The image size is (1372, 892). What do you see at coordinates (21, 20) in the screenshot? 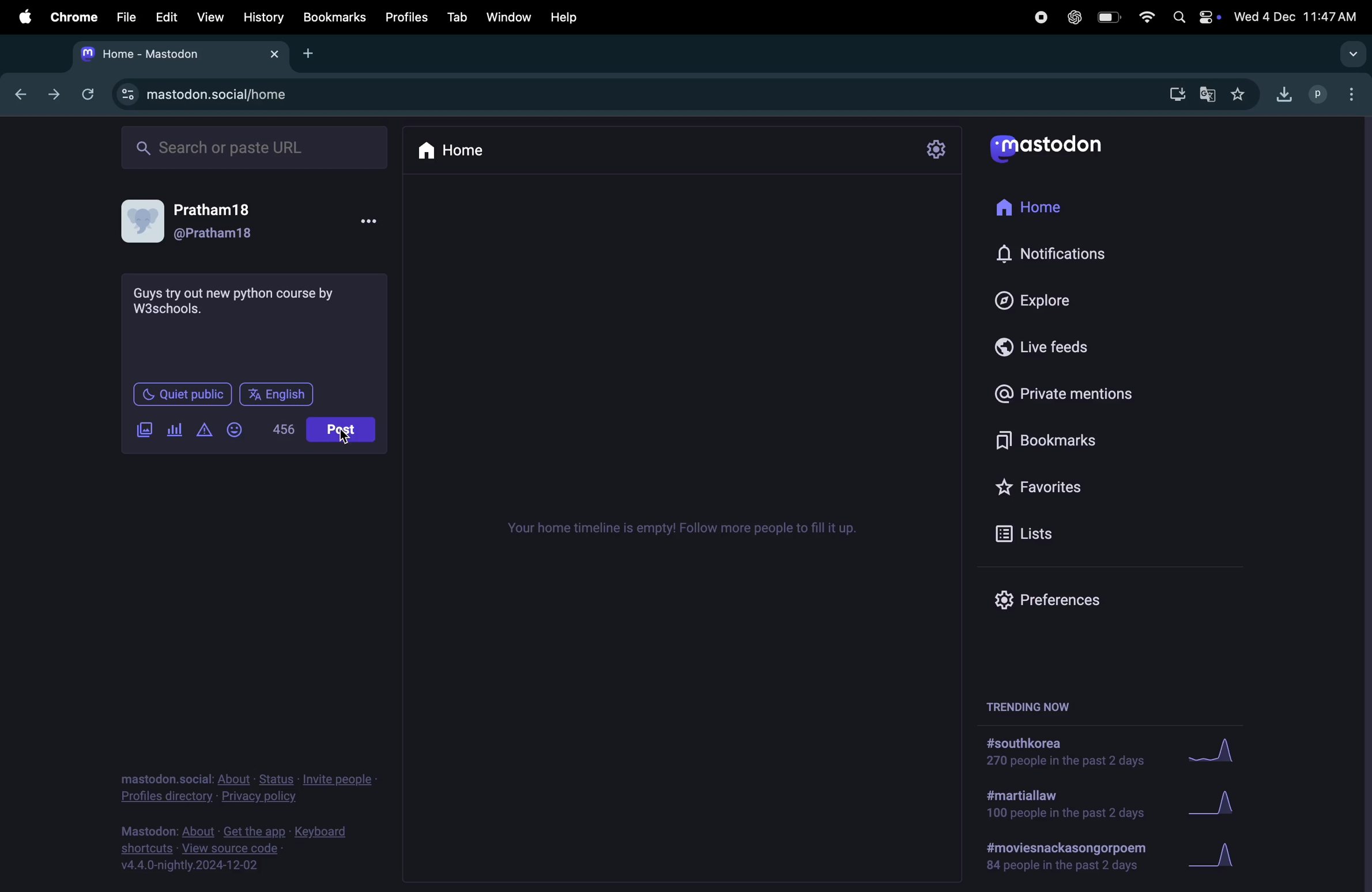
I see `apple menu` at bounding box center [21, 20].